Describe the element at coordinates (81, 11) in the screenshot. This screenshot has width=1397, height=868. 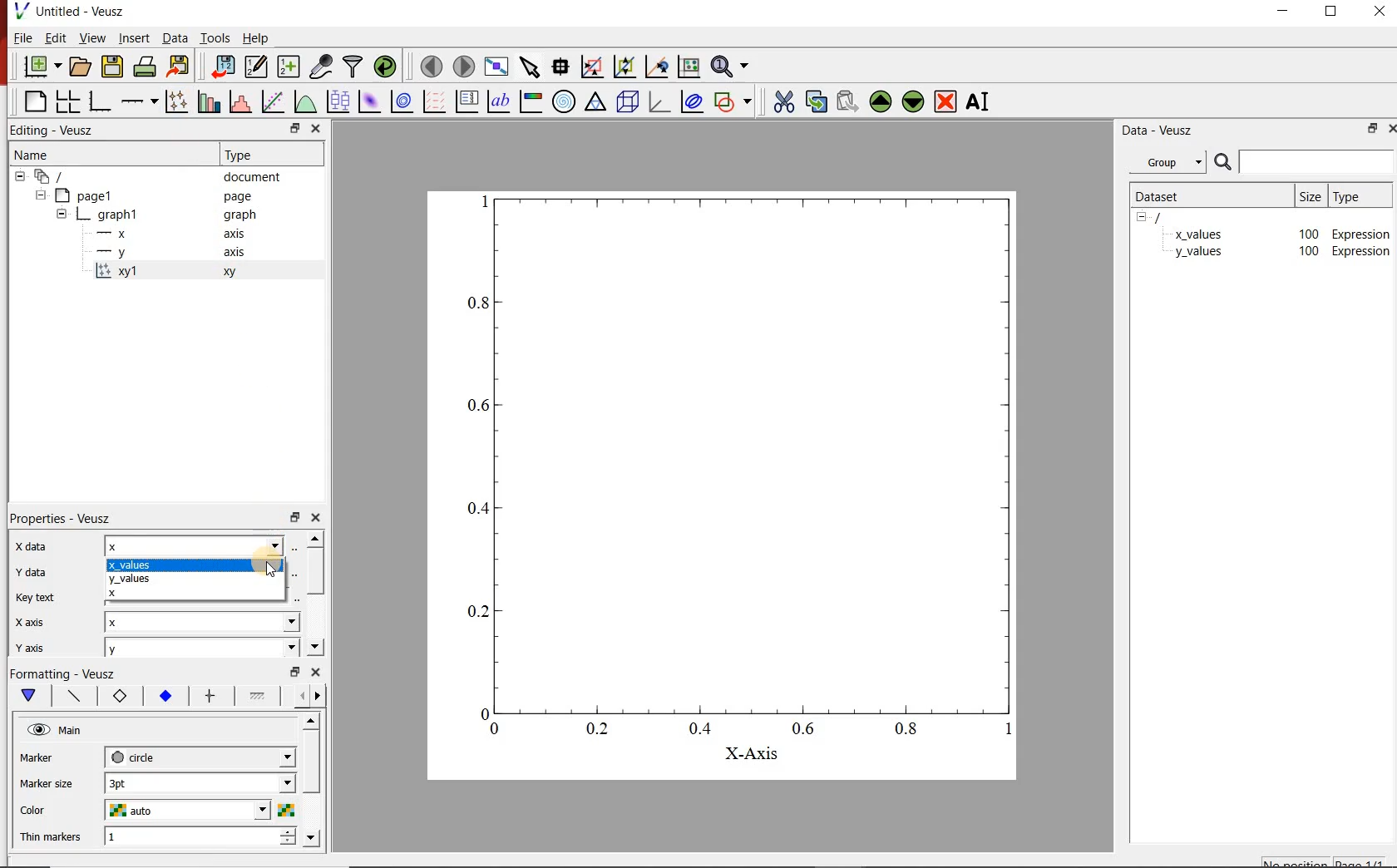
I see `Untitled - Veusz` at that location.